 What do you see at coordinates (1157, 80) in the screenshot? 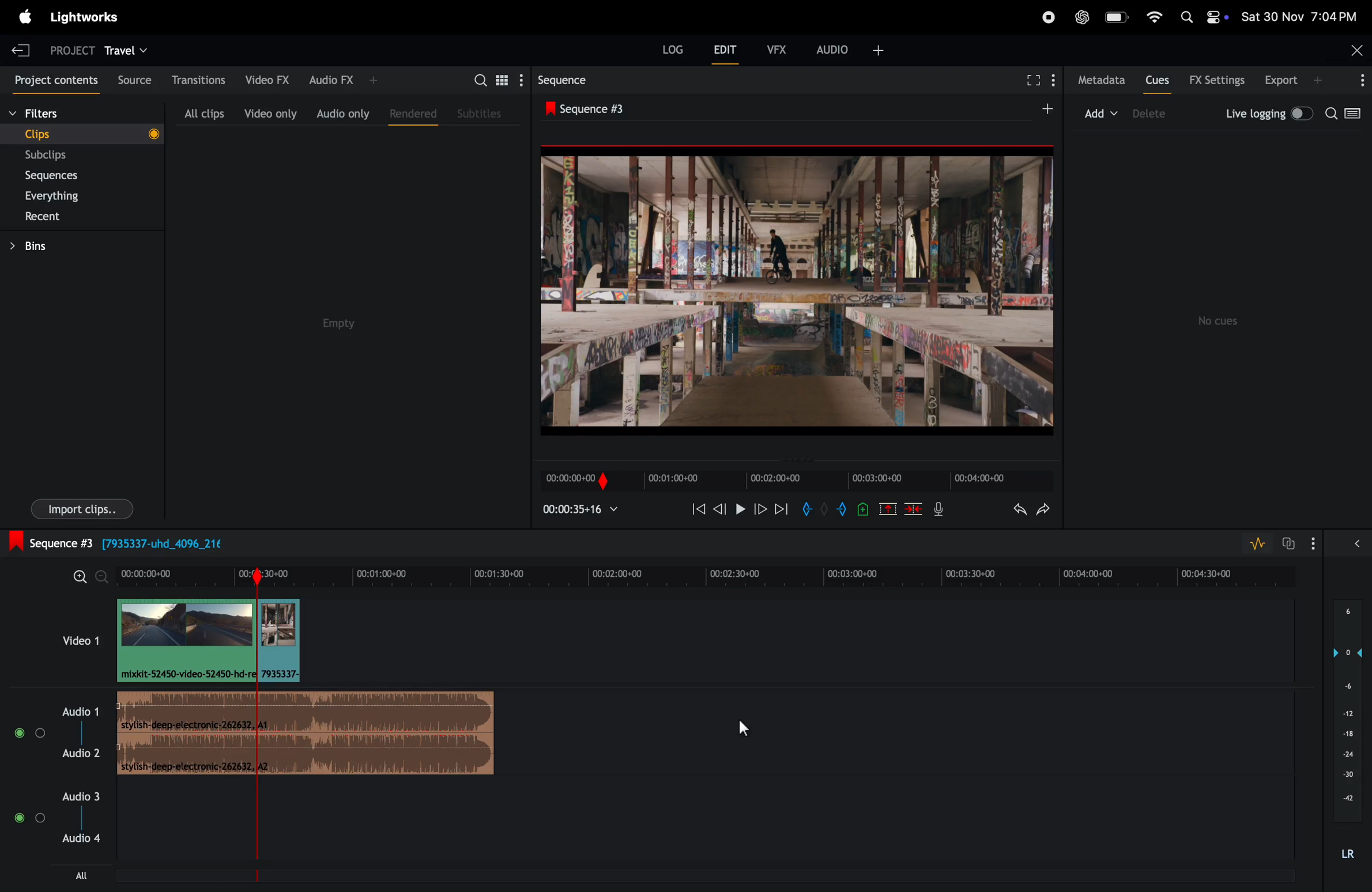
I see `cues ` at bounding box center [1157, 80].